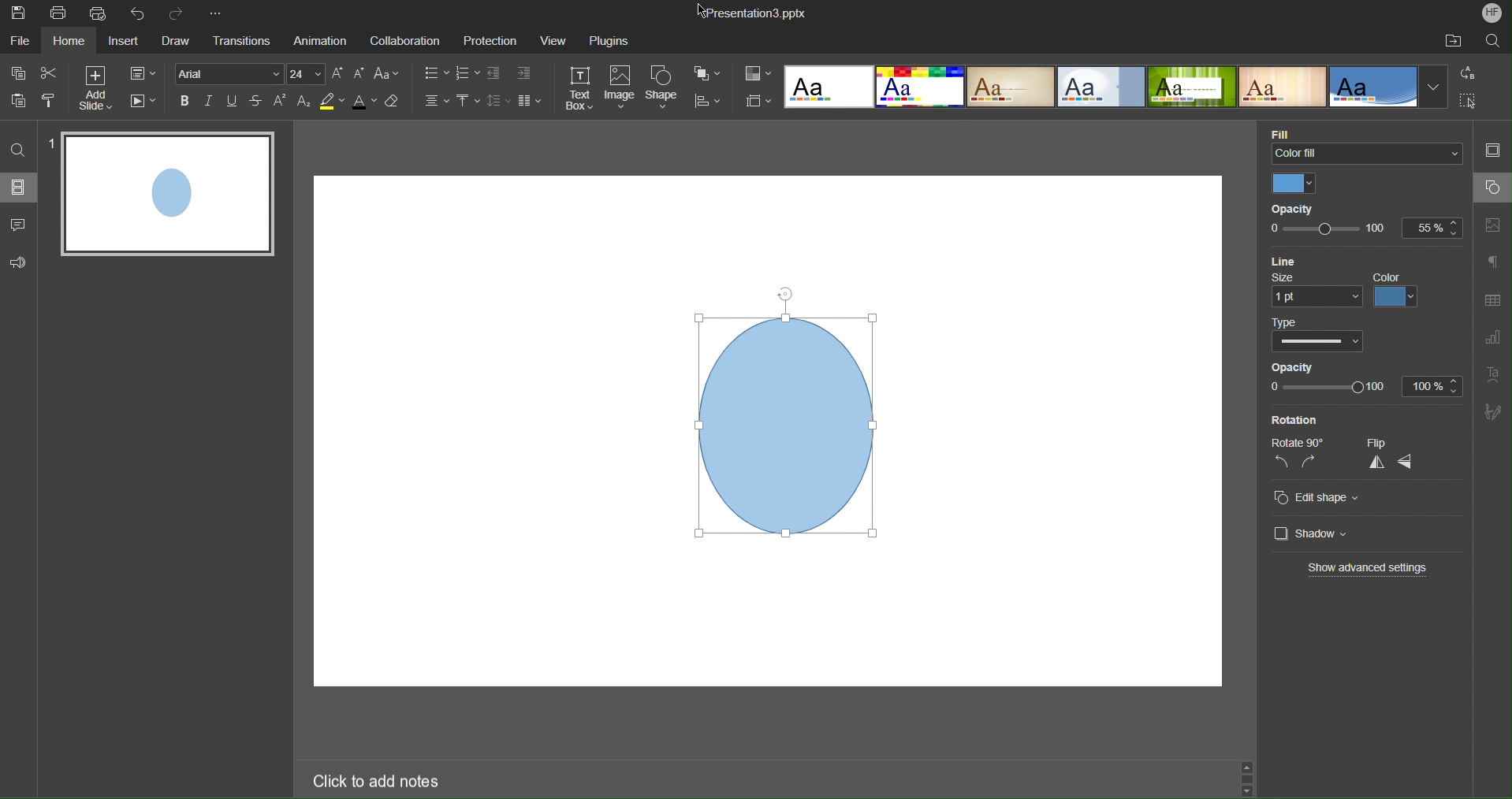 The height and width of the screenshot is (799, 1512). I want to click on Signature, so click(1494, 411).